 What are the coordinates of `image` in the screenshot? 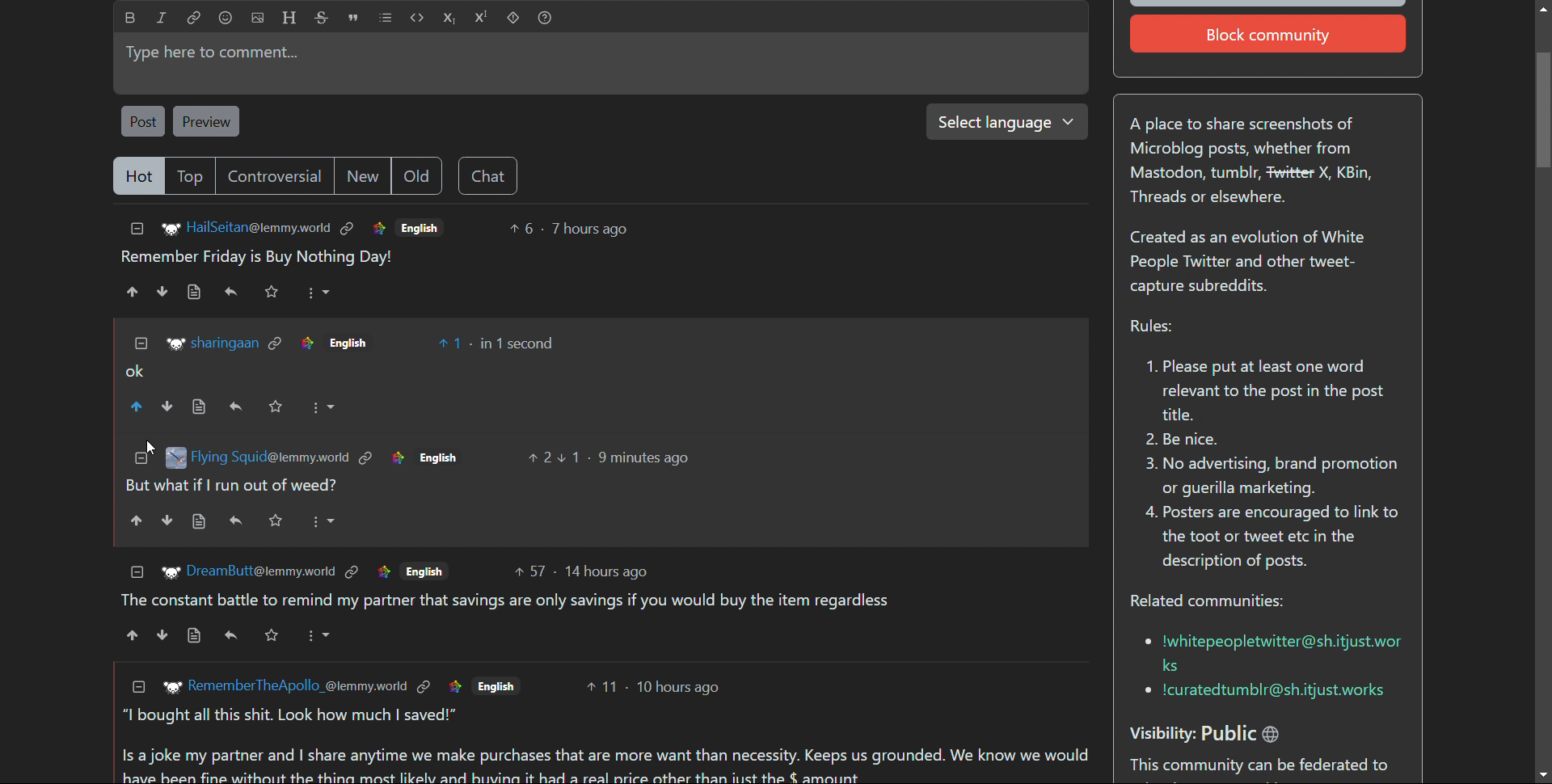 It's located at (174, 458).